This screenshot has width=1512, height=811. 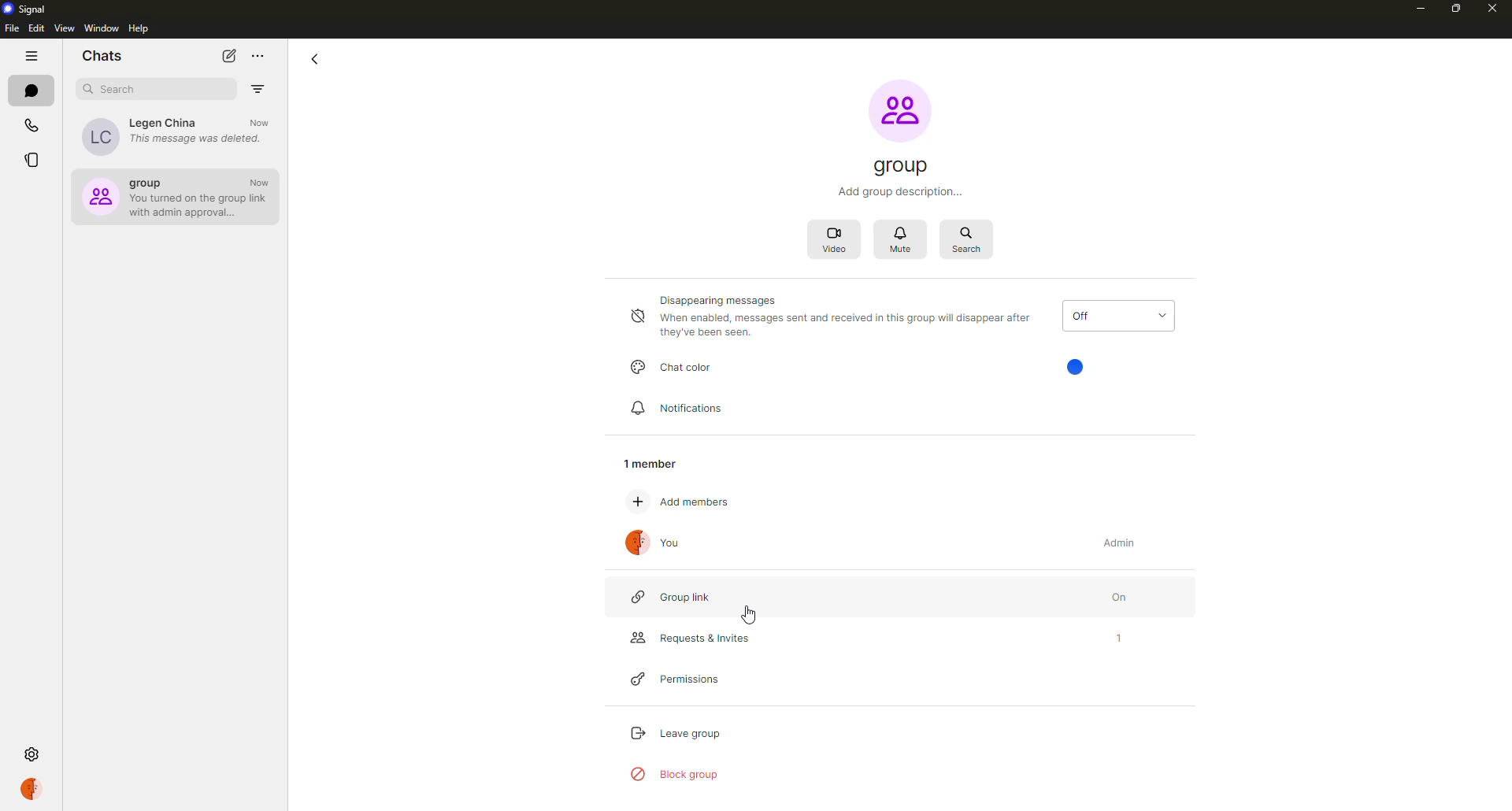 What do you see at coordinates (1117, 316) in the screenshot?
I see `off` at bounding box center [1117, 316].